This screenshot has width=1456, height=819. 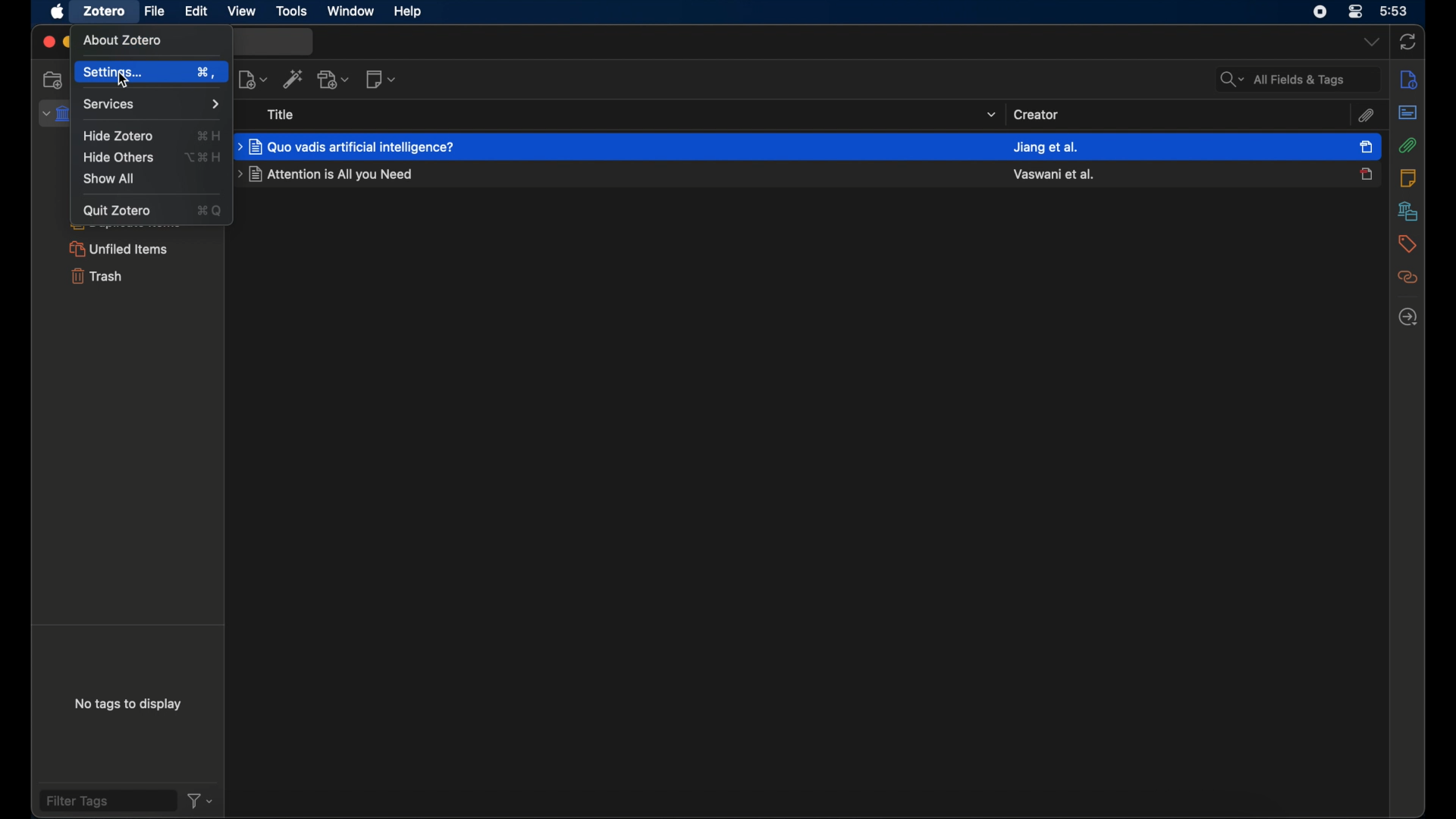 What do you see at coordinates (1408, 112) in the screenshot?
I see `abstract` at bounding box center [1408, 112].